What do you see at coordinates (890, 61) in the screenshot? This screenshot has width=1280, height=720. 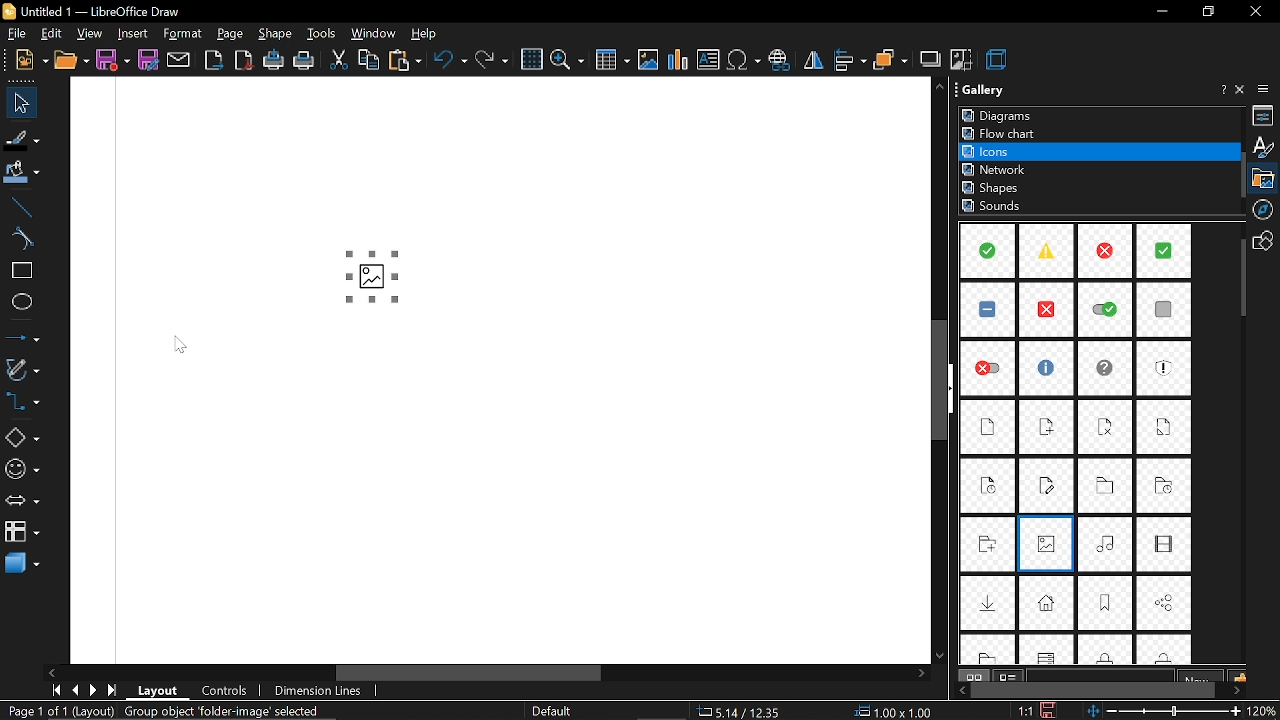 I see `arrange` at bounding box center [890, 61].